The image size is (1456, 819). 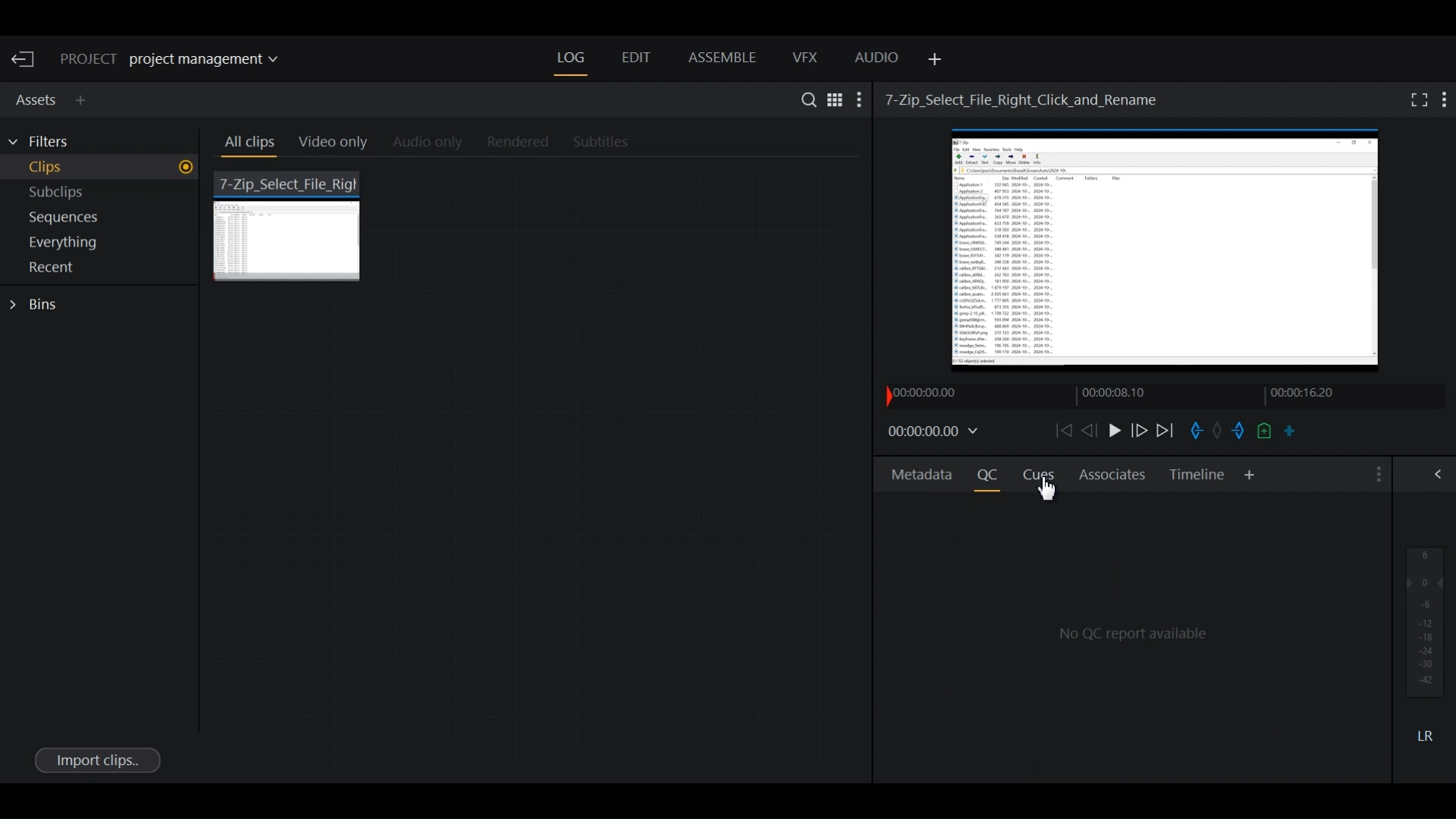 I want to click on Timecodes and reels, so click(x=936, y=432).